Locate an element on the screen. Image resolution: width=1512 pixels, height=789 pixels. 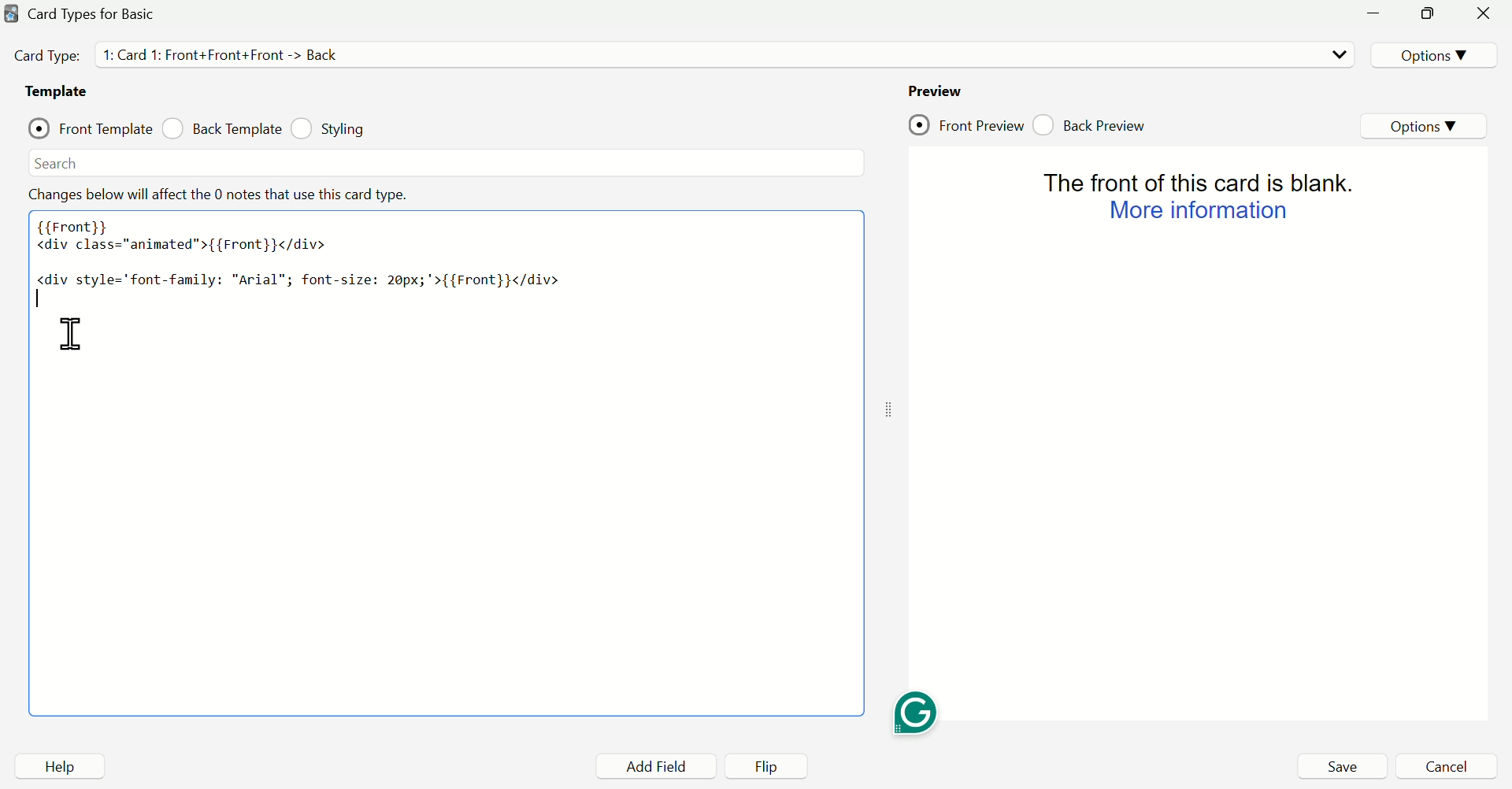
Minimize is located at coordinates (1374, 13).